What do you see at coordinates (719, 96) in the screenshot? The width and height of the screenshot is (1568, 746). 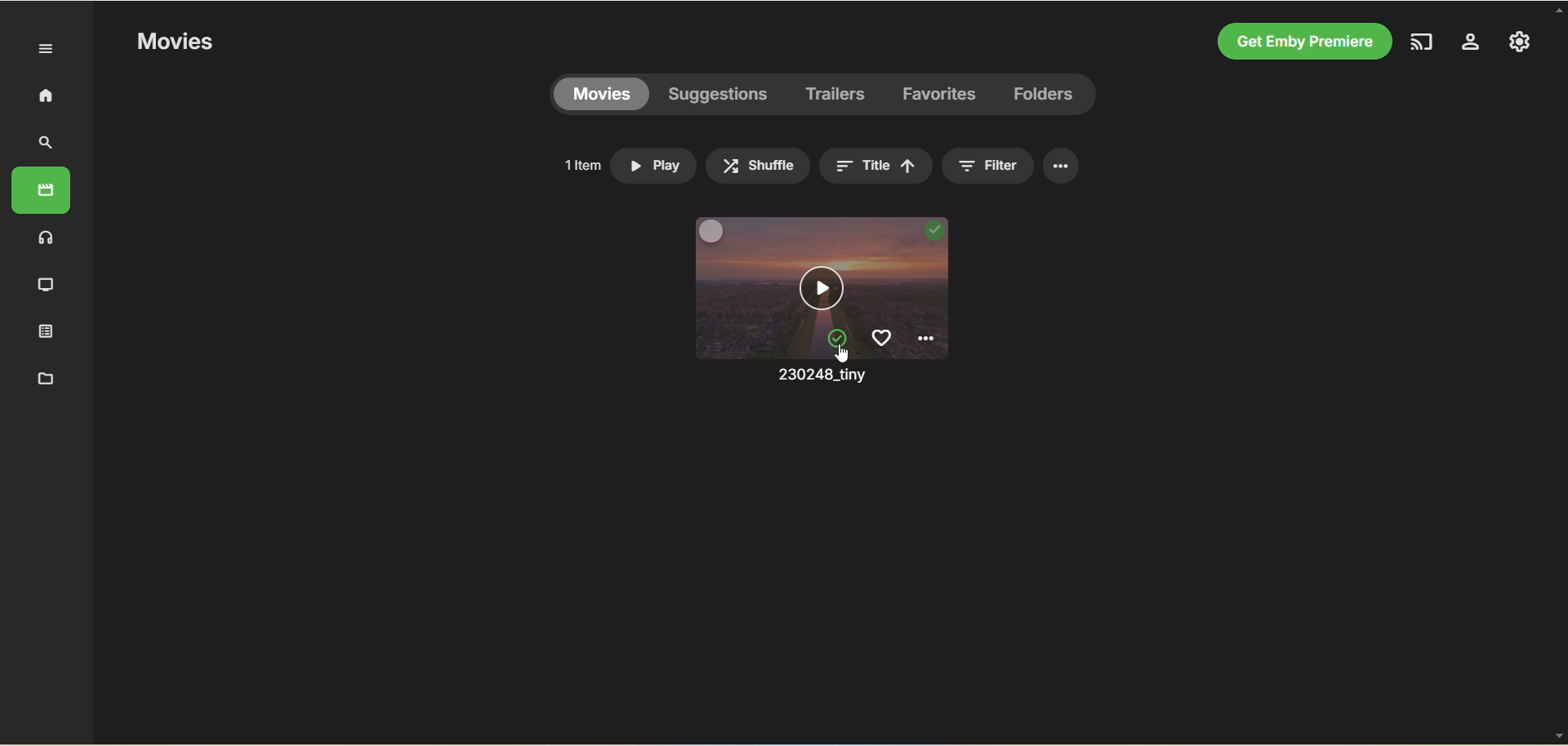 I see `suggestions` at bounding box center [719, 96].